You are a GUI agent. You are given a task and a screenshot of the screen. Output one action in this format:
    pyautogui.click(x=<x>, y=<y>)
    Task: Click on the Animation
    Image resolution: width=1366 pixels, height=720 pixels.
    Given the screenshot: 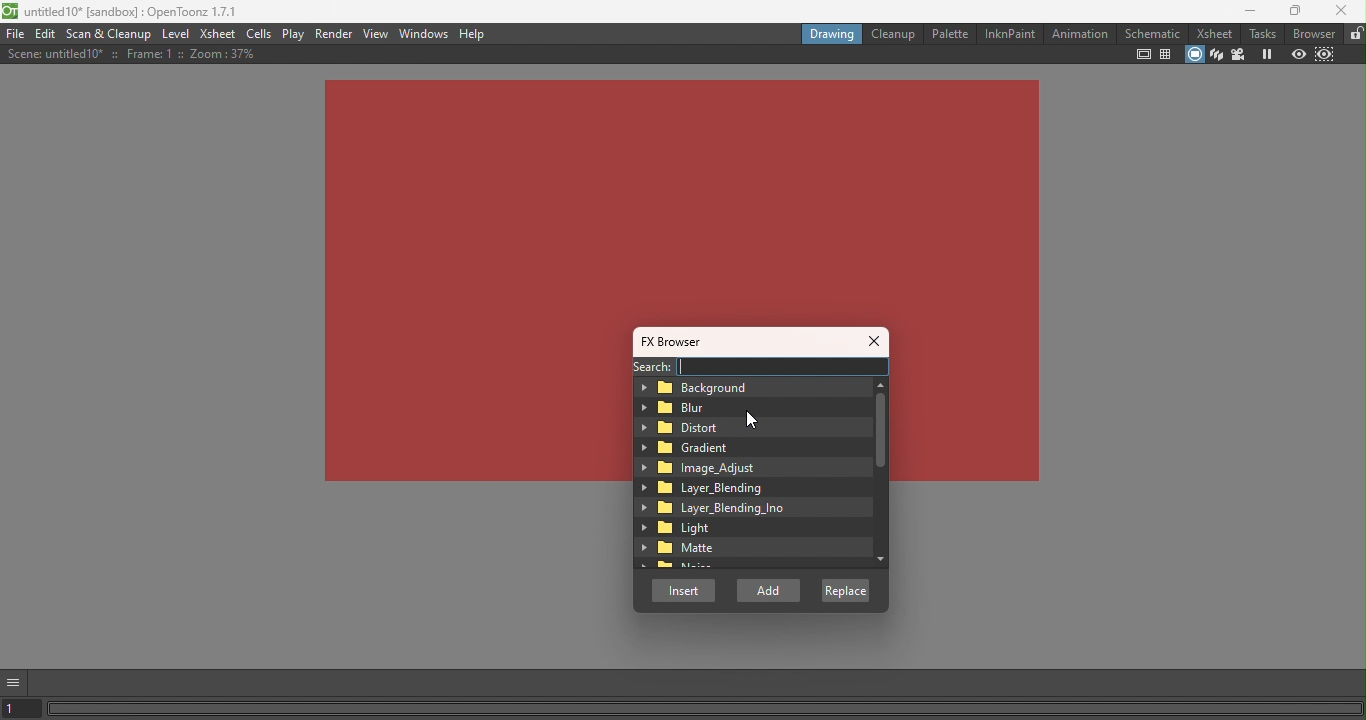 What is the action you would take?
    pyautogui.click(x=1078, y=34)
    